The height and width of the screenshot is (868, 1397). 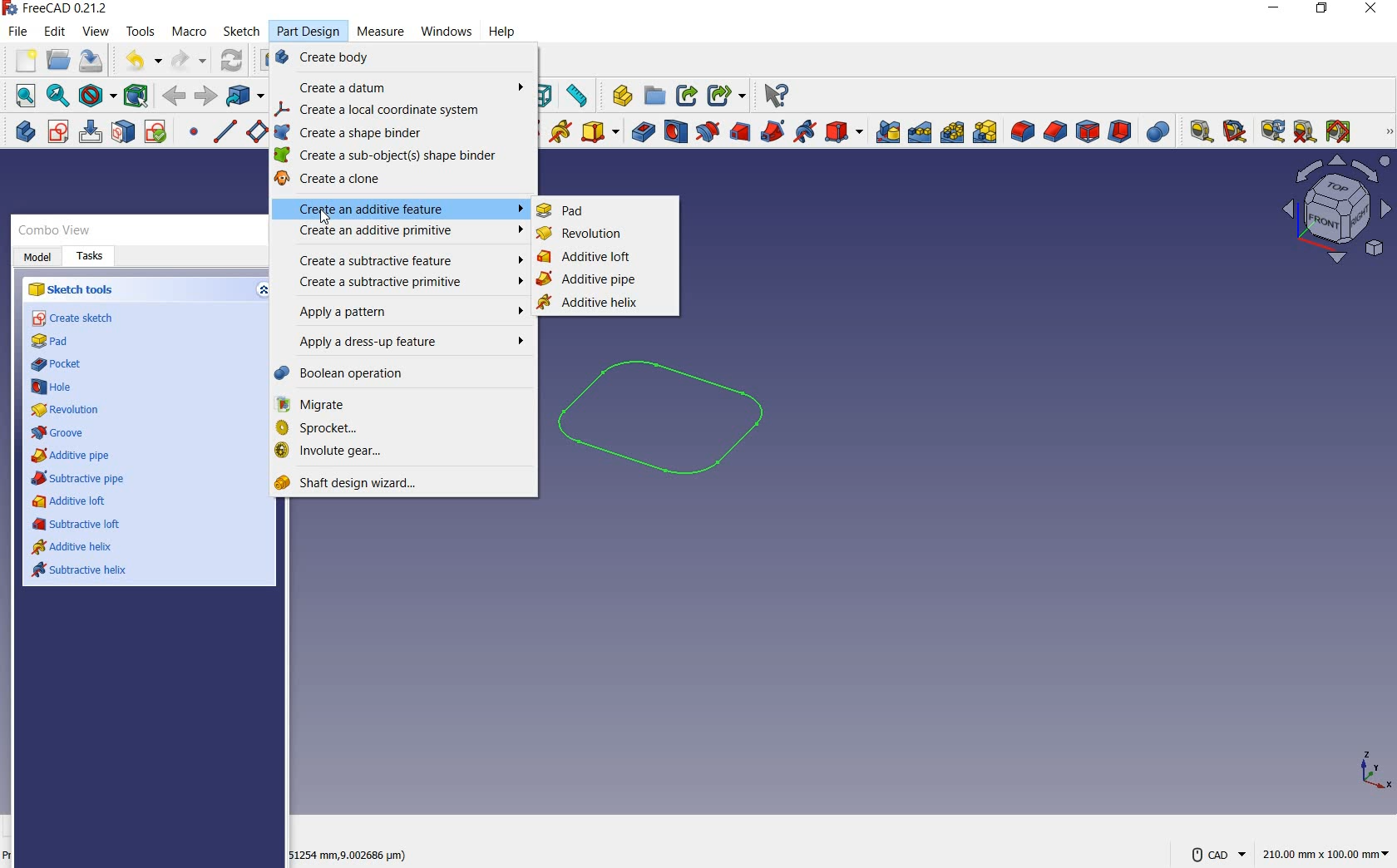 I want to click on chamfer, so click(x=1055, y=131).